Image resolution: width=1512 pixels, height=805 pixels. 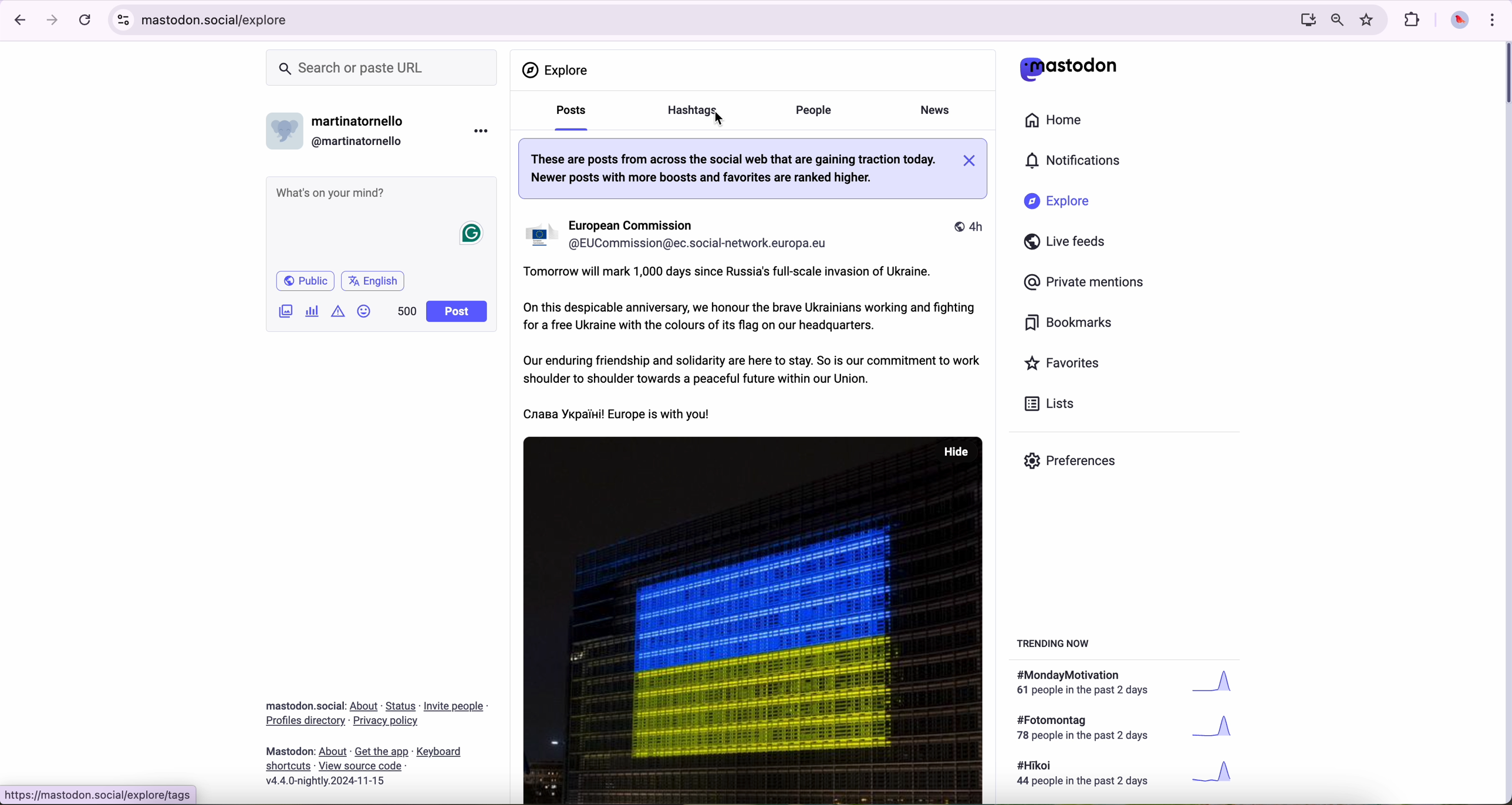 I want to click on Mastodon social, so click(x=302, y=706).